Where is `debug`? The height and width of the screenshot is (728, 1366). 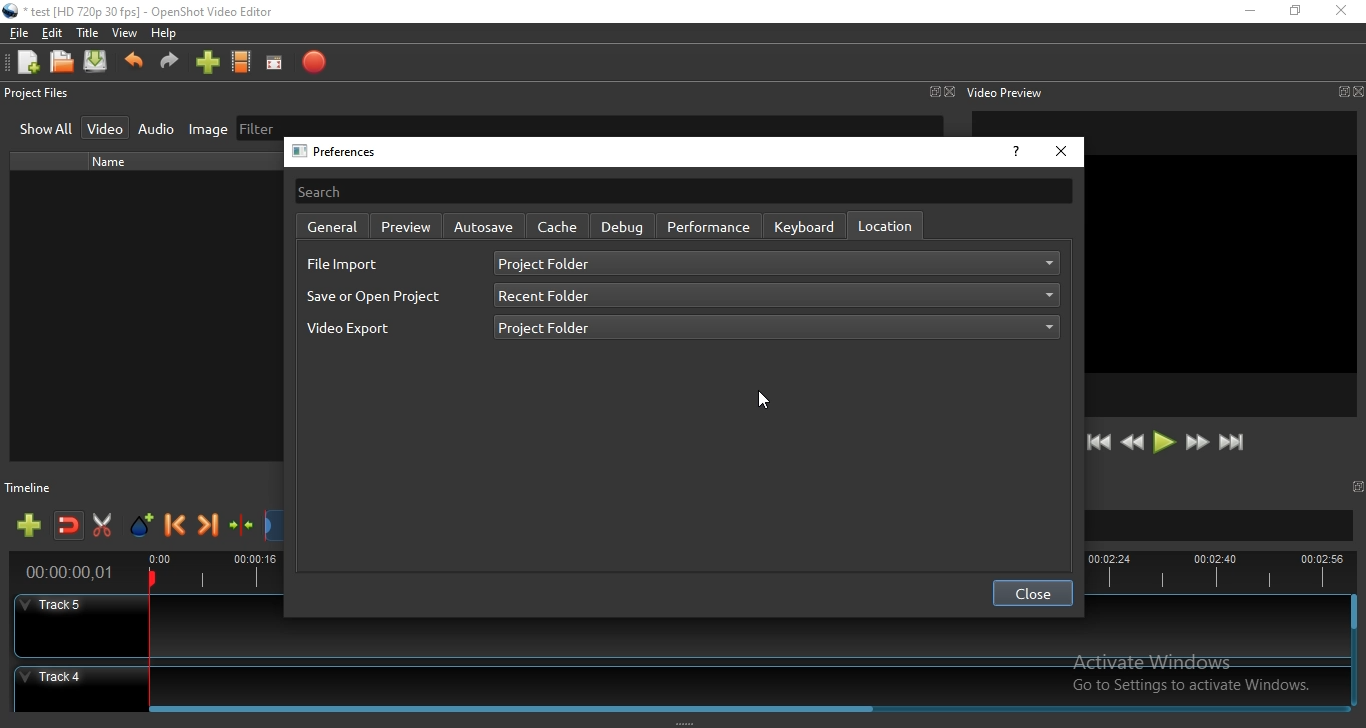 debug is located at coordinates (621, 225).